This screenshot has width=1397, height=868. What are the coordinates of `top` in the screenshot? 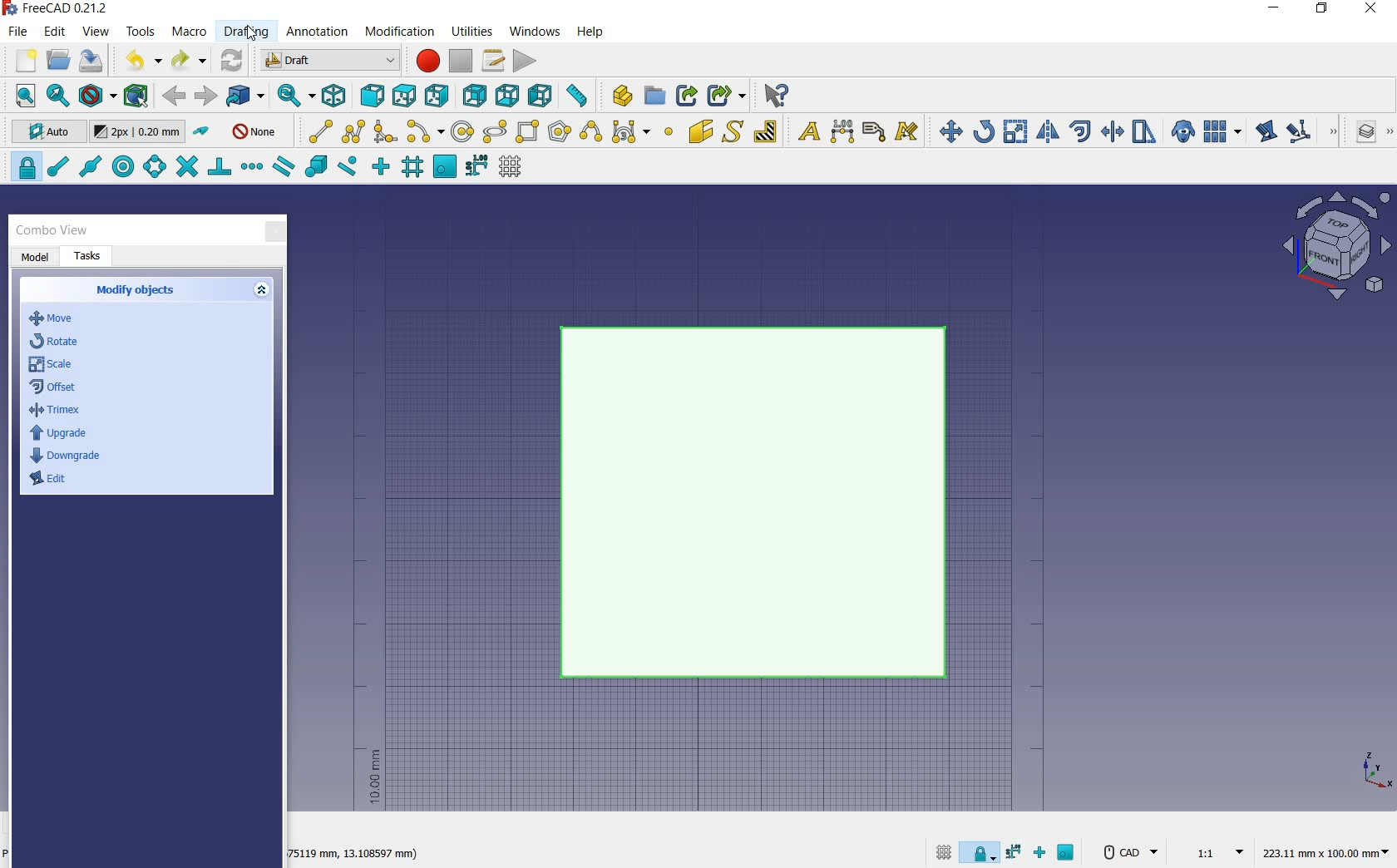 It's located at (405, 95).